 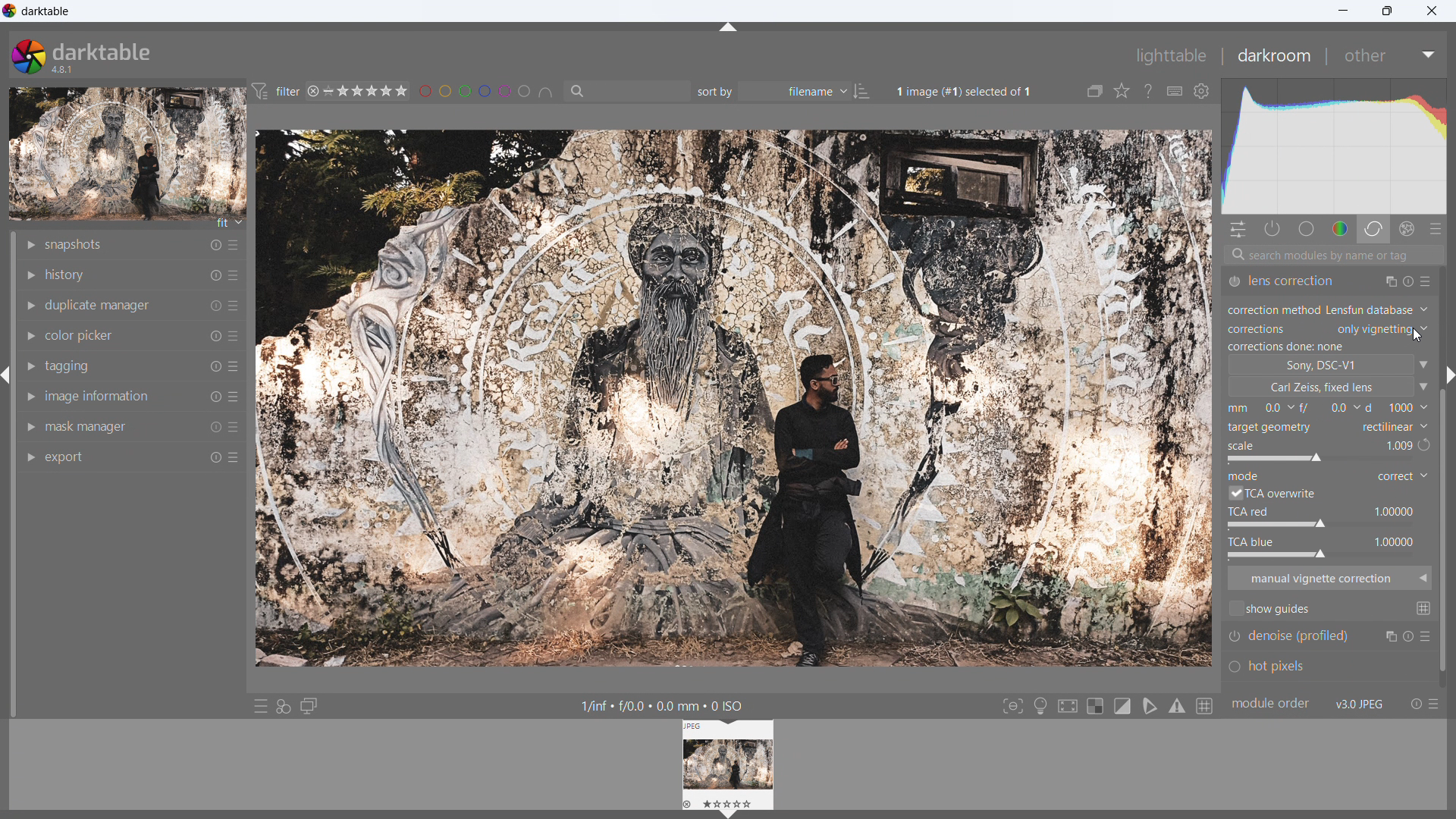 What do you see at coordinates (227, 223) in the screenshot?
I see `fit` at bounding box center [227, 223].